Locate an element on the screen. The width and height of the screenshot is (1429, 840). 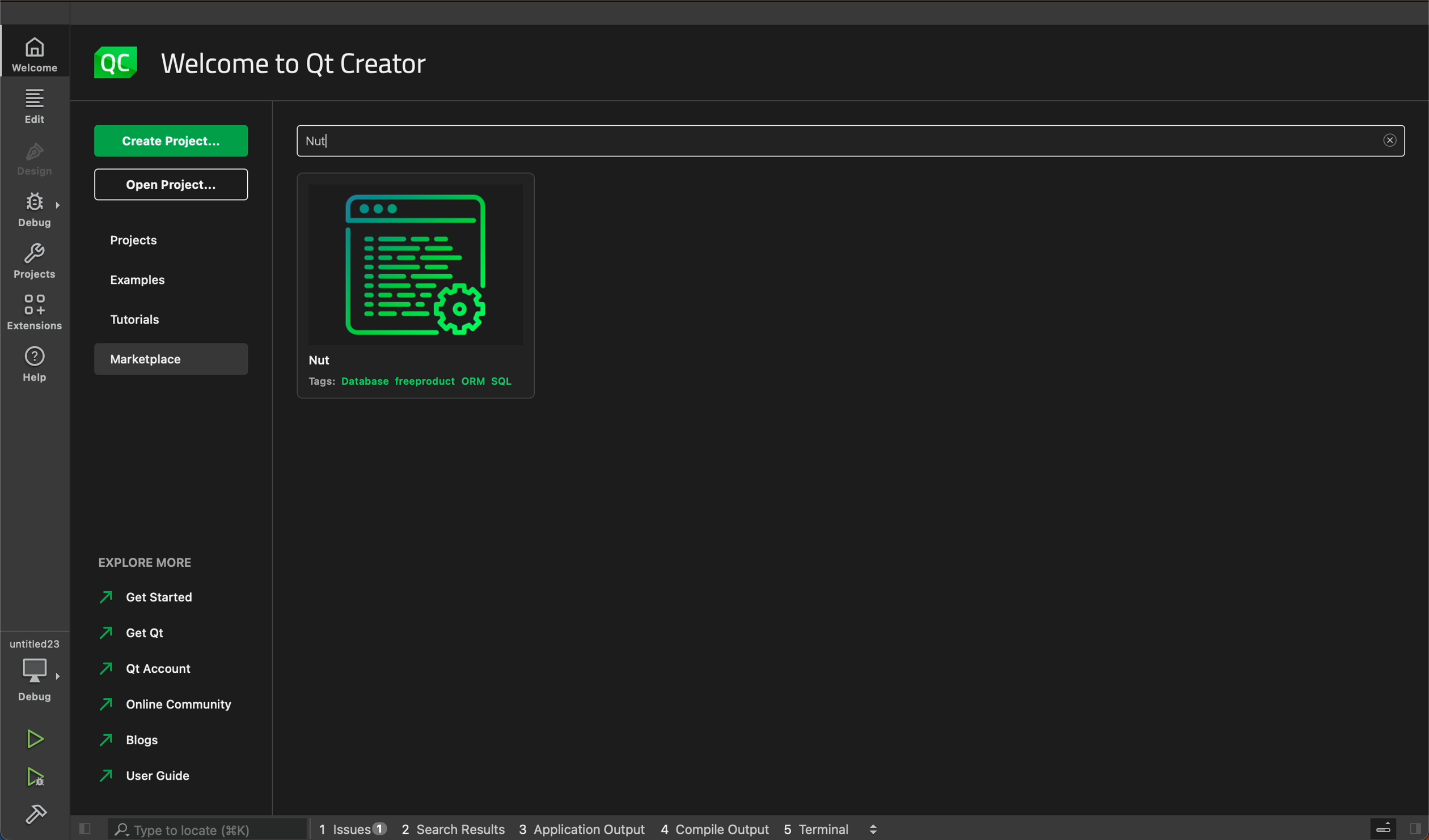
 is located at coordinates (150, 668).